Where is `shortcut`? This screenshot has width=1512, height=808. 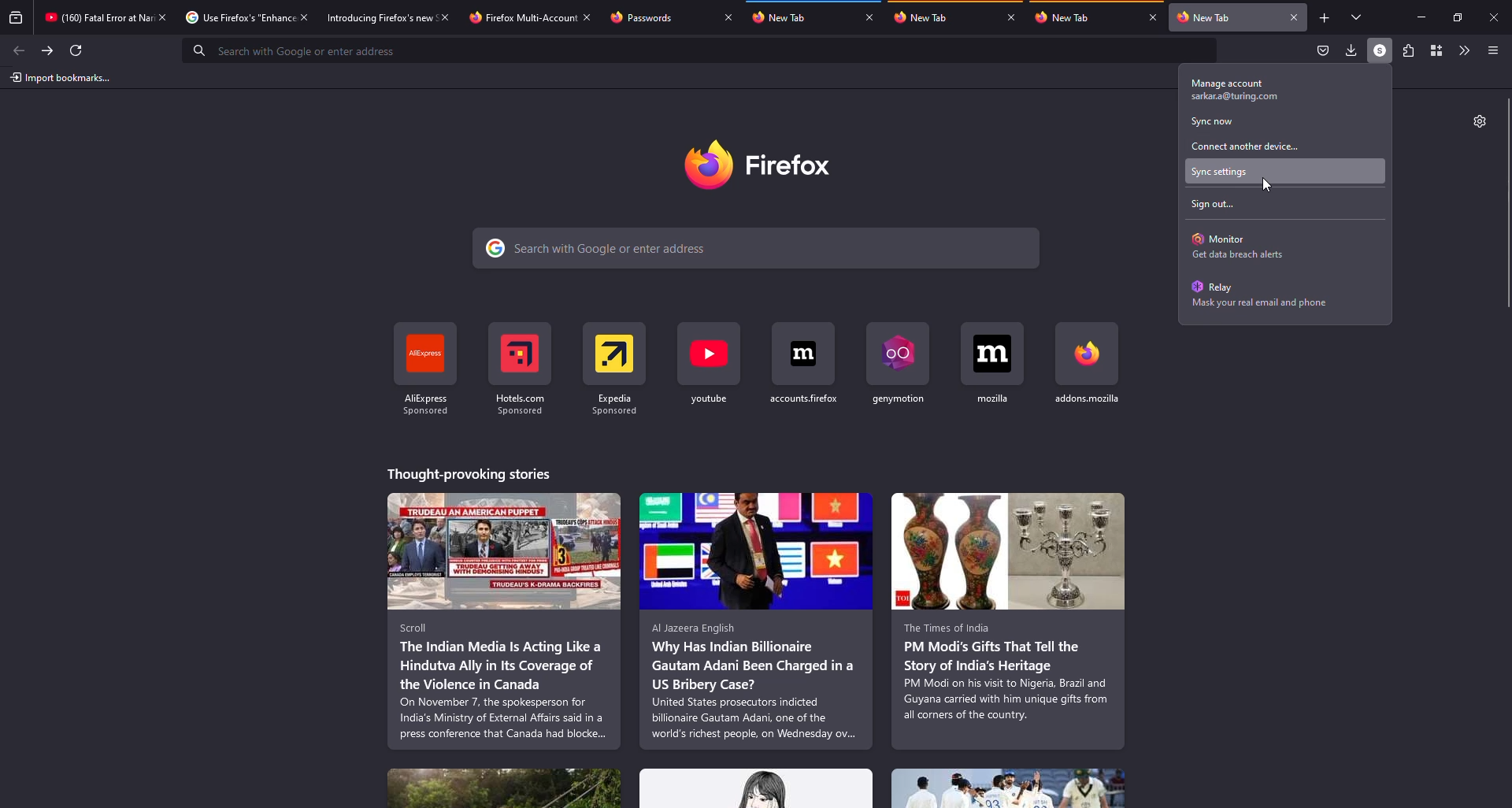 shortcut is located at coordinates (1089, 364).